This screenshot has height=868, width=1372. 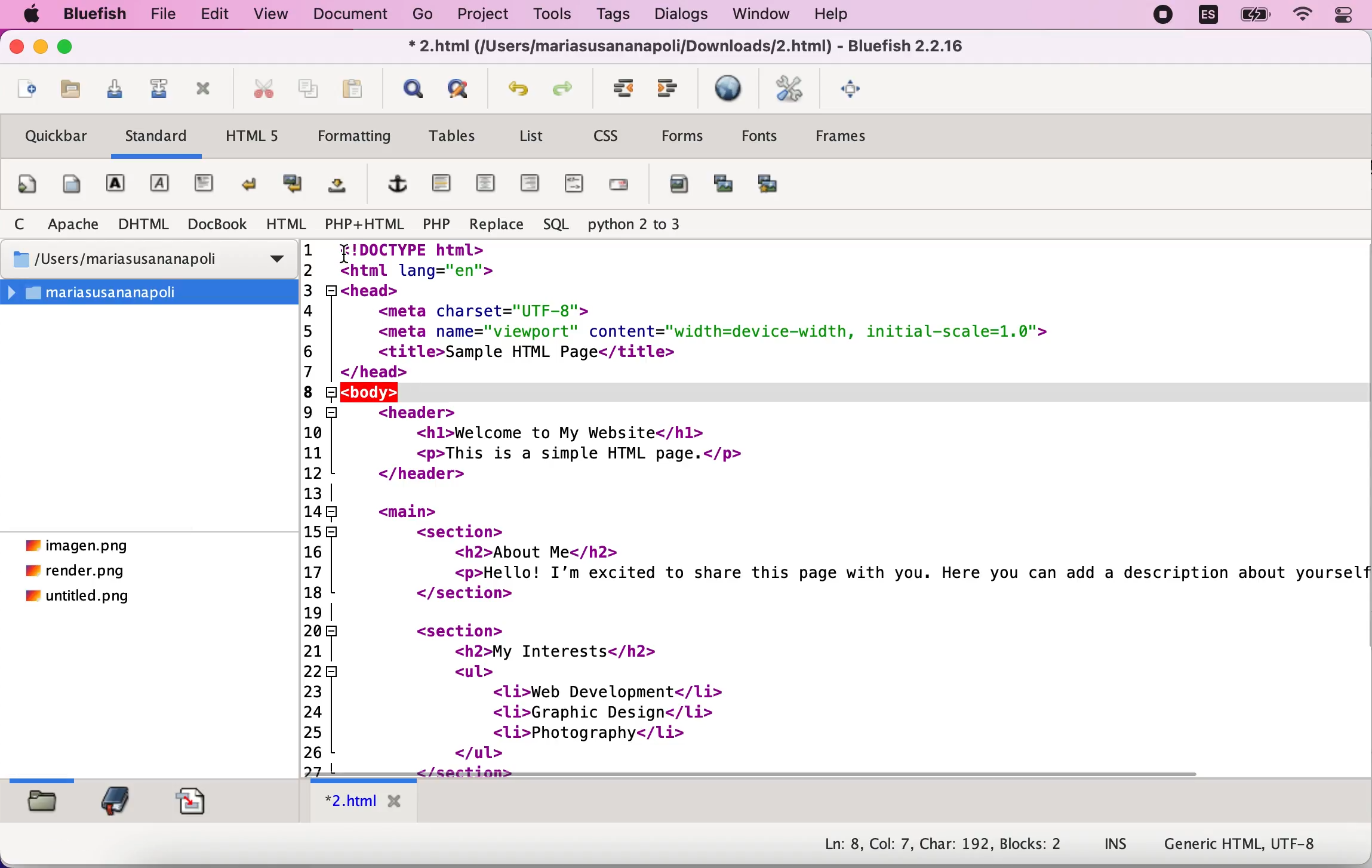 I want to click on standard, so click(x=161, y=136).